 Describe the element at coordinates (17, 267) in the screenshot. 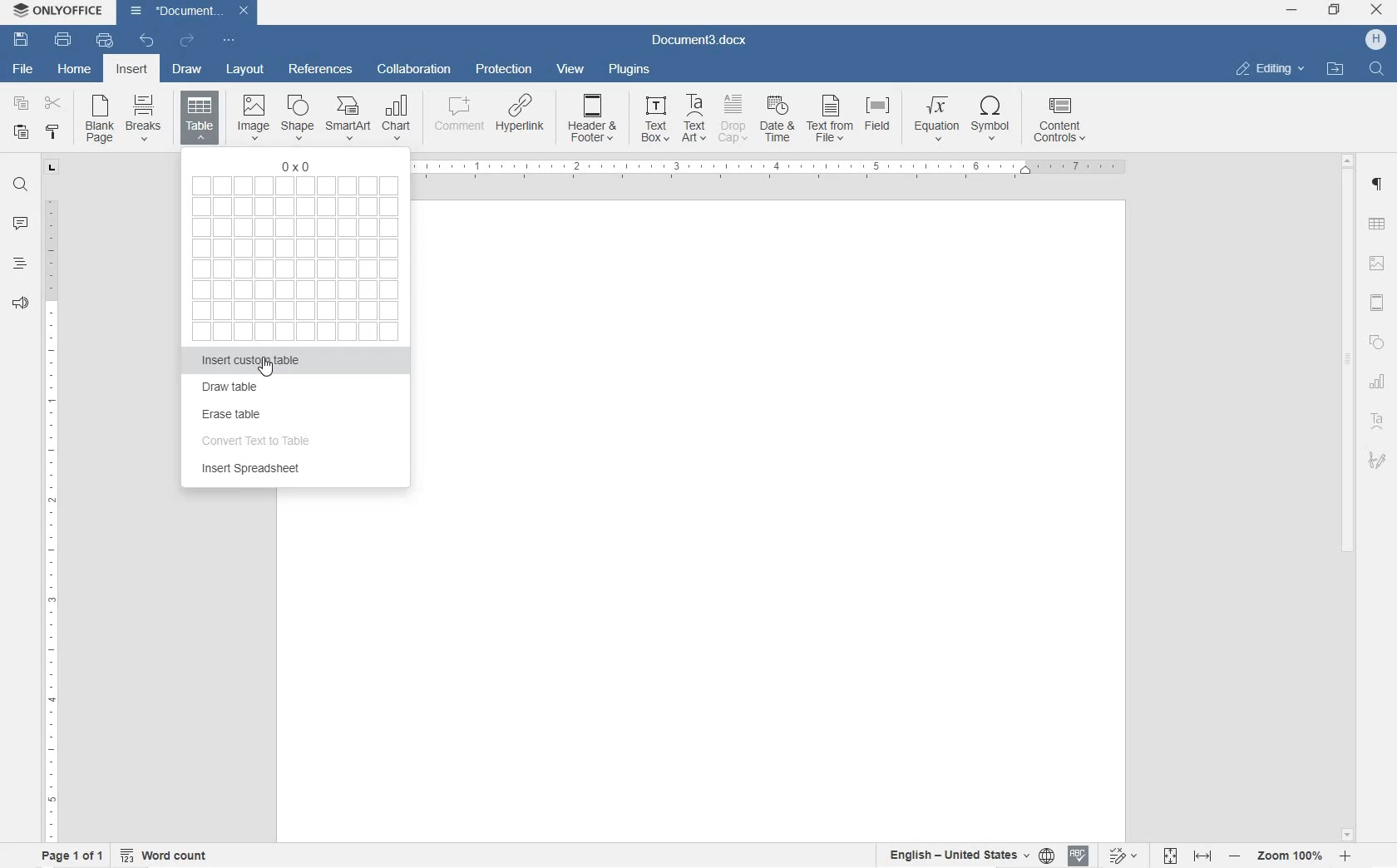

I see `HEADINGS` at that location.